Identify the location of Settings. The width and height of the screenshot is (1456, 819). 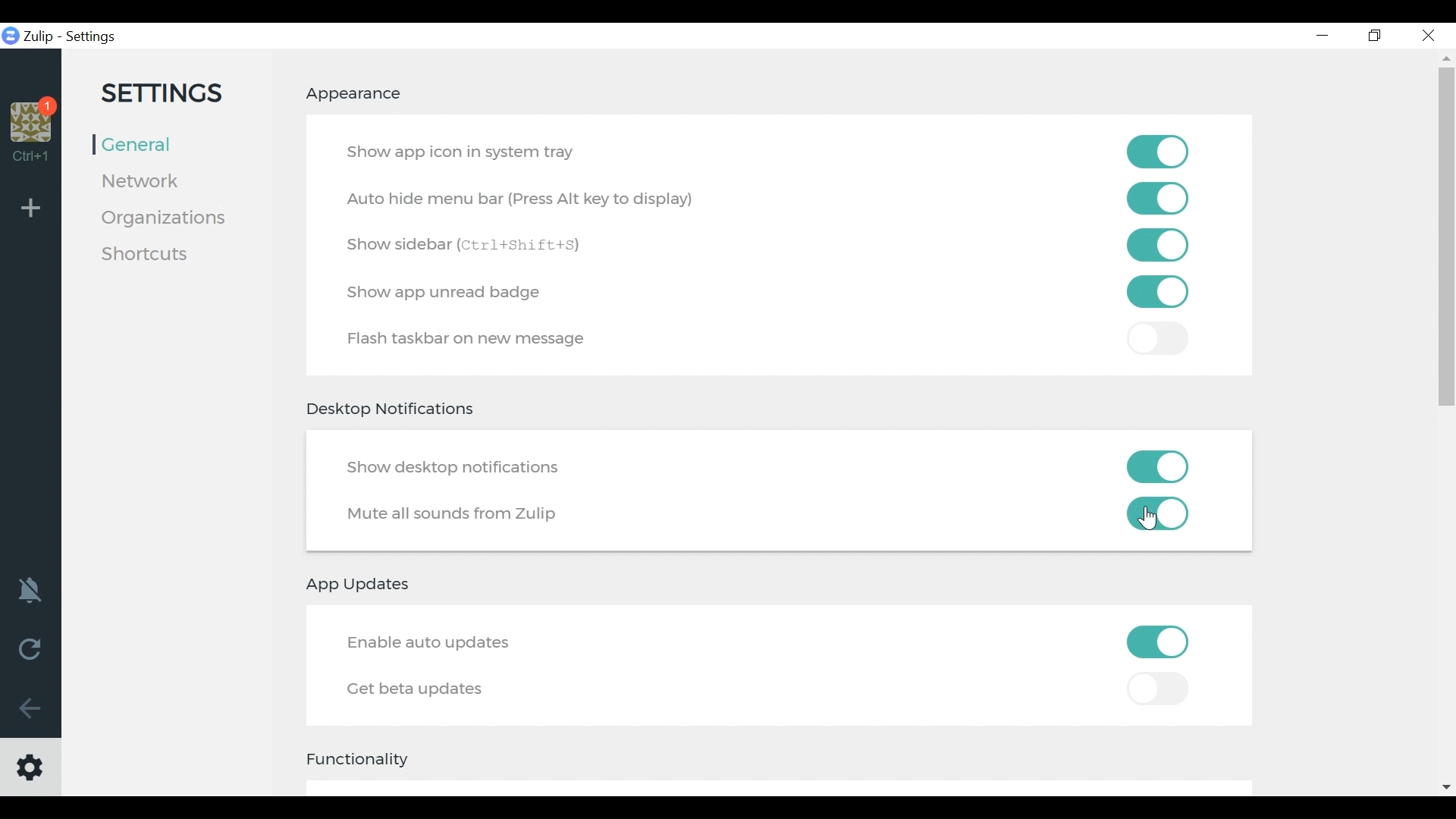
(167, 93).